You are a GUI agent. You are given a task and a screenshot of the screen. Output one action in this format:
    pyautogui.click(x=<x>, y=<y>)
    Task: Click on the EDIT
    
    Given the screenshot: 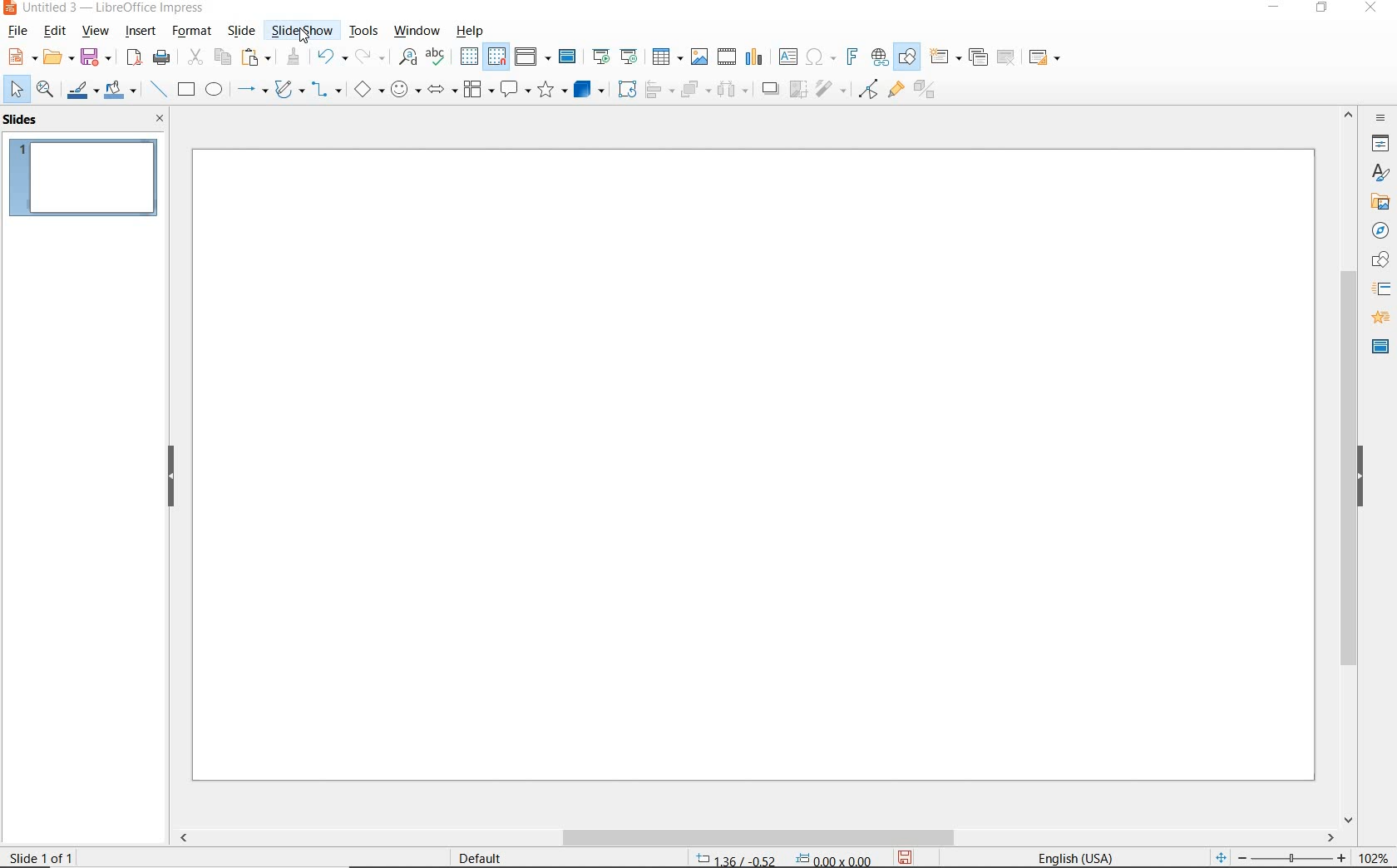 What is the action you would take?
    pyautogui.click(x=54, y=32)
    